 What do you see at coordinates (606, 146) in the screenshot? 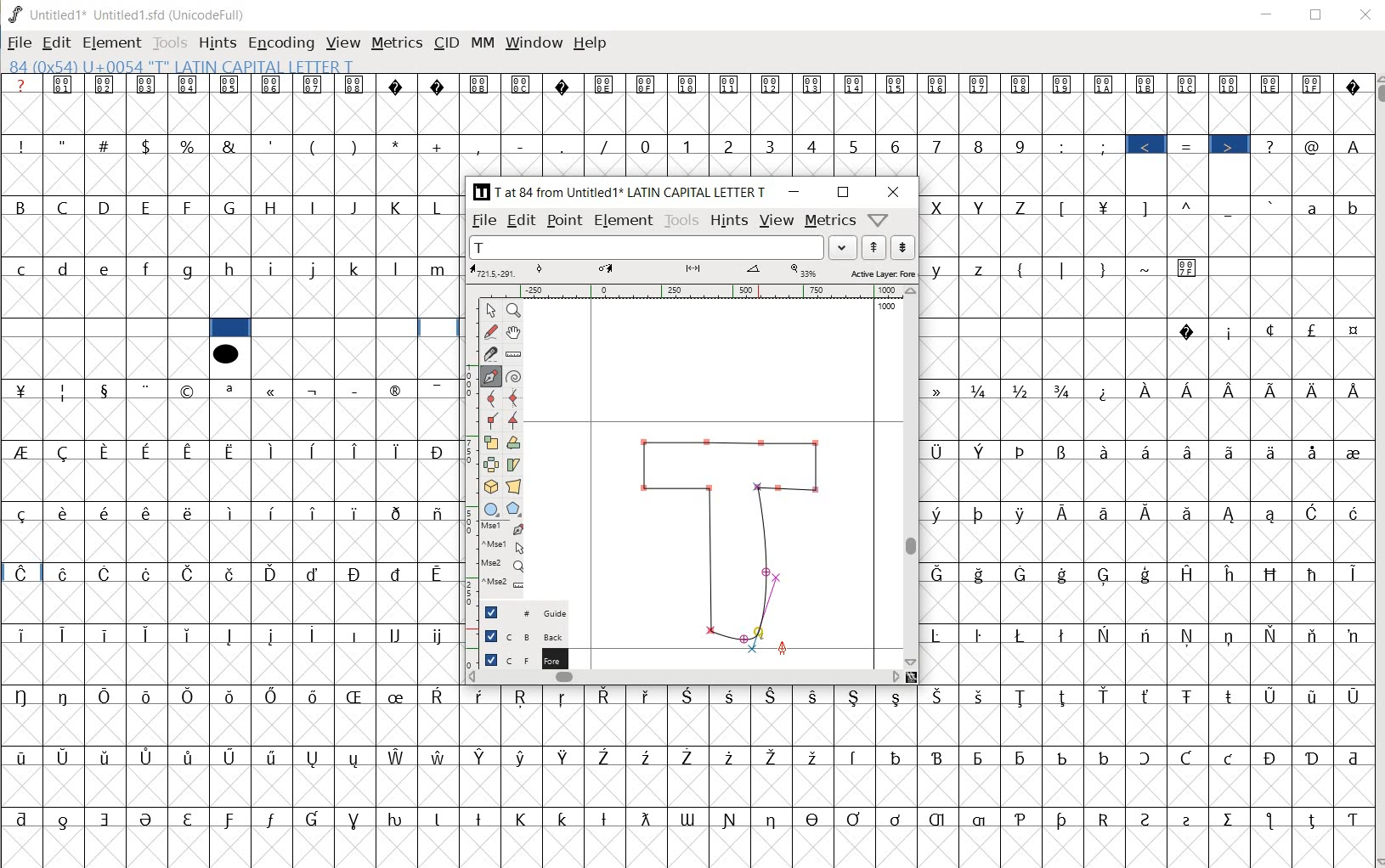
I see `/` at bounding box center [606, 146].